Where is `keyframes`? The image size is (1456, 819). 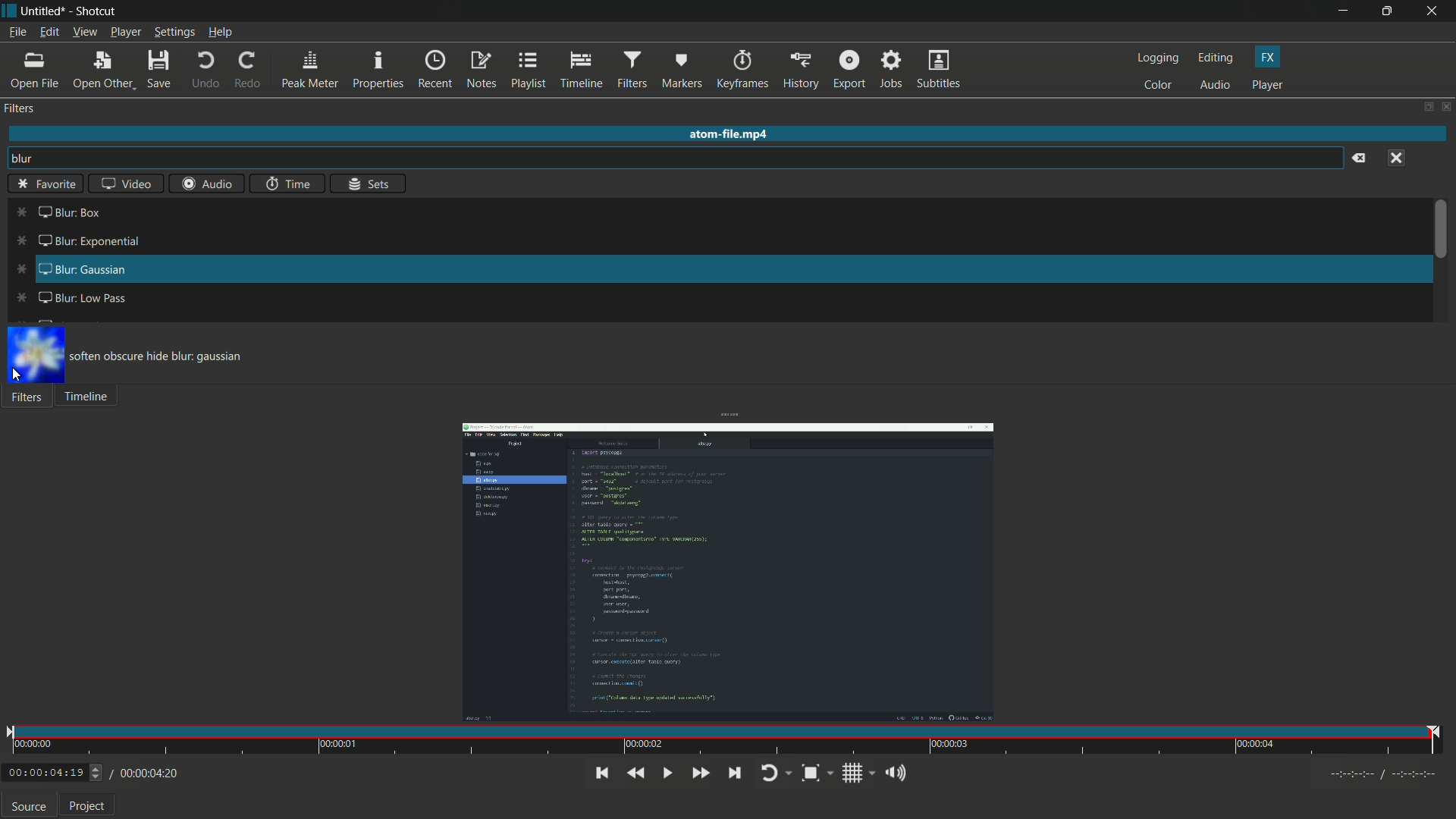
keyframes is located at coordinates (743, 71).